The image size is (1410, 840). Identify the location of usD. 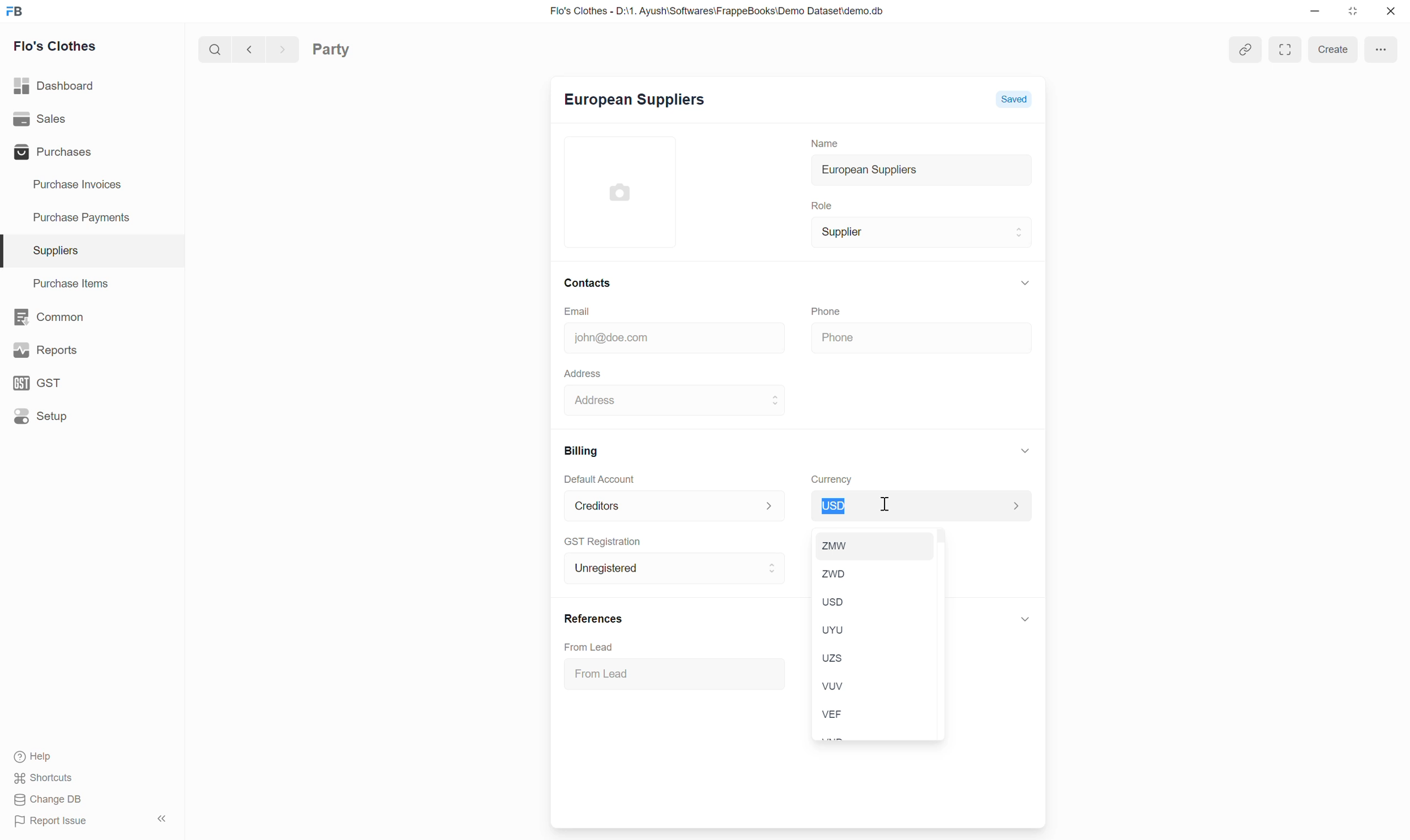
(840, 603).